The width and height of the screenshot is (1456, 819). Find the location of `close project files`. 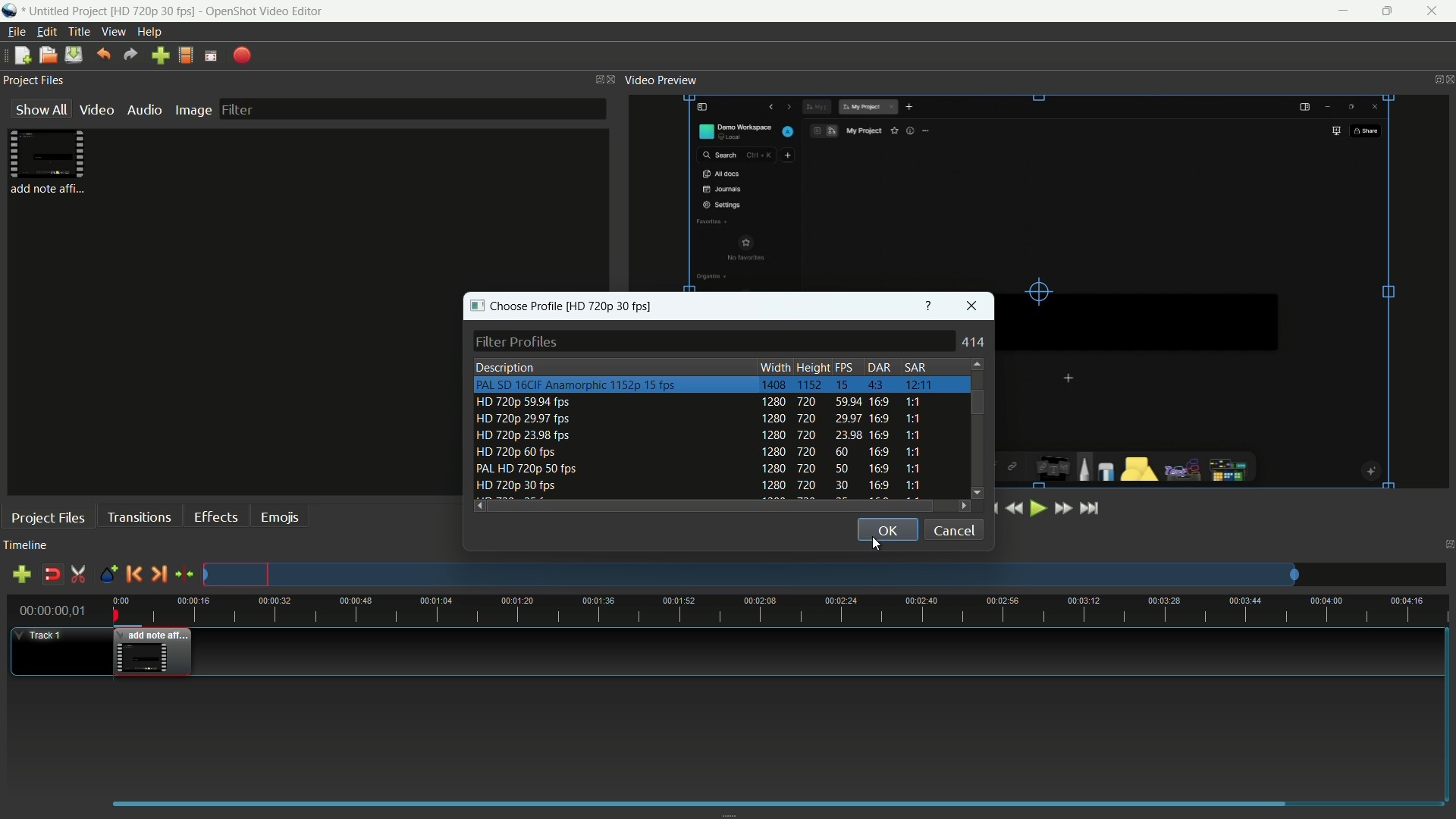

close project files is located at coordinates (613, 78).